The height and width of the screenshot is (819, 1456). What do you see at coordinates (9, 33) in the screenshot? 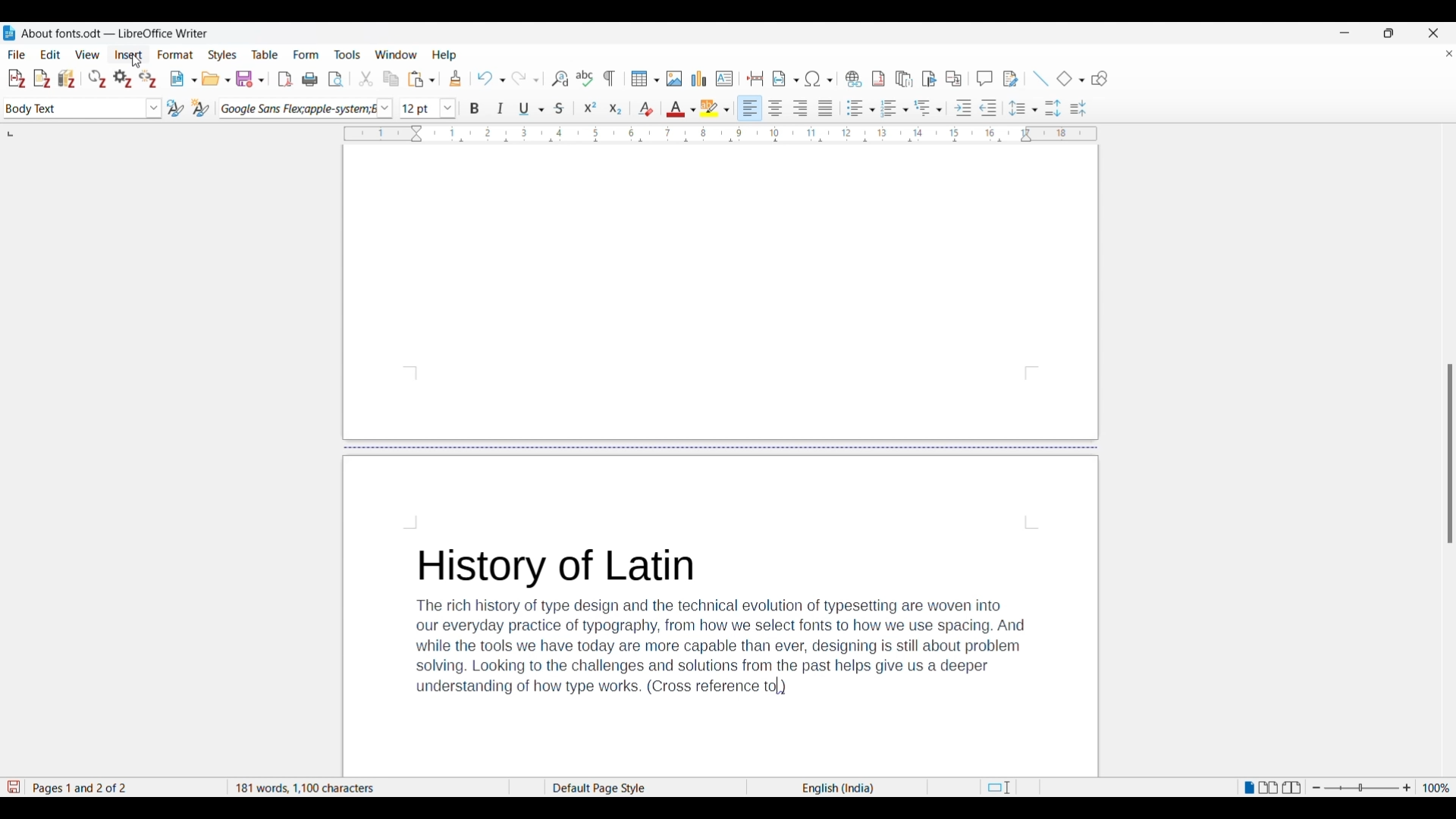
I see `LibreOffice Writer logo` at bounding box center [9, 33].